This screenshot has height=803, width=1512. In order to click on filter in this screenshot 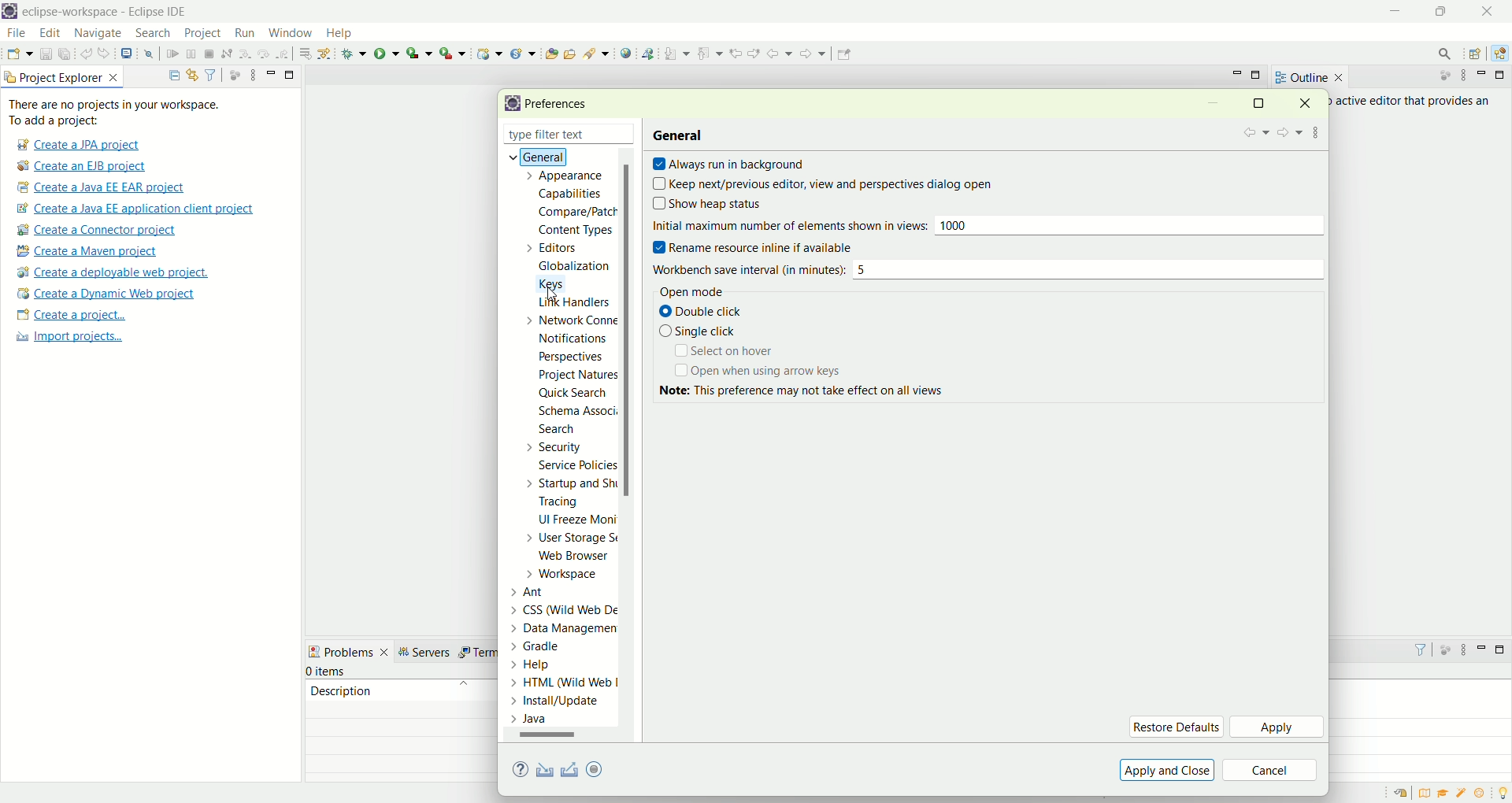, I will do `click(1414, 649)`.